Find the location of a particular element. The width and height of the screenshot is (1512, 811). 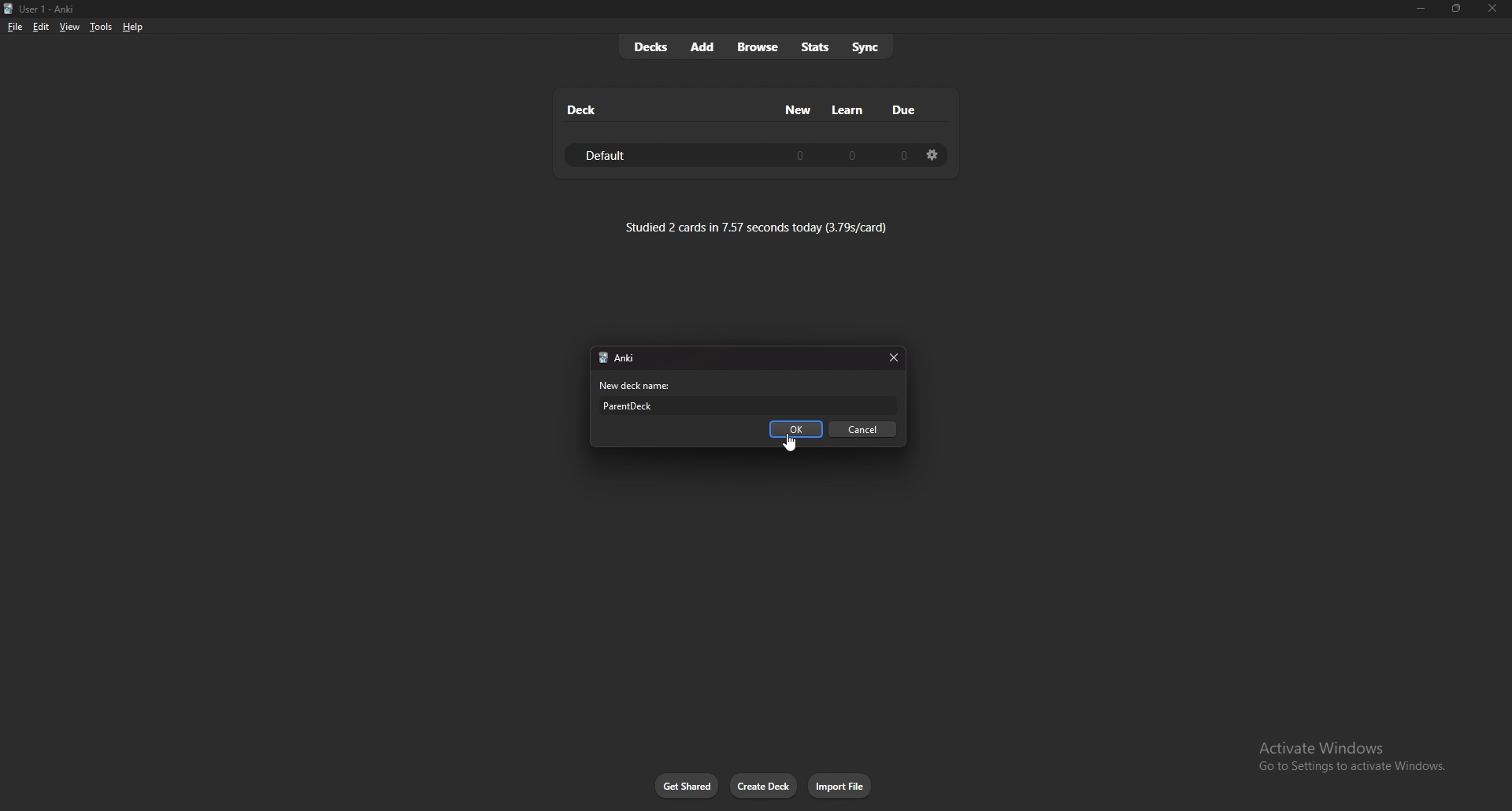

cursor is located at coordinates (791, 444).